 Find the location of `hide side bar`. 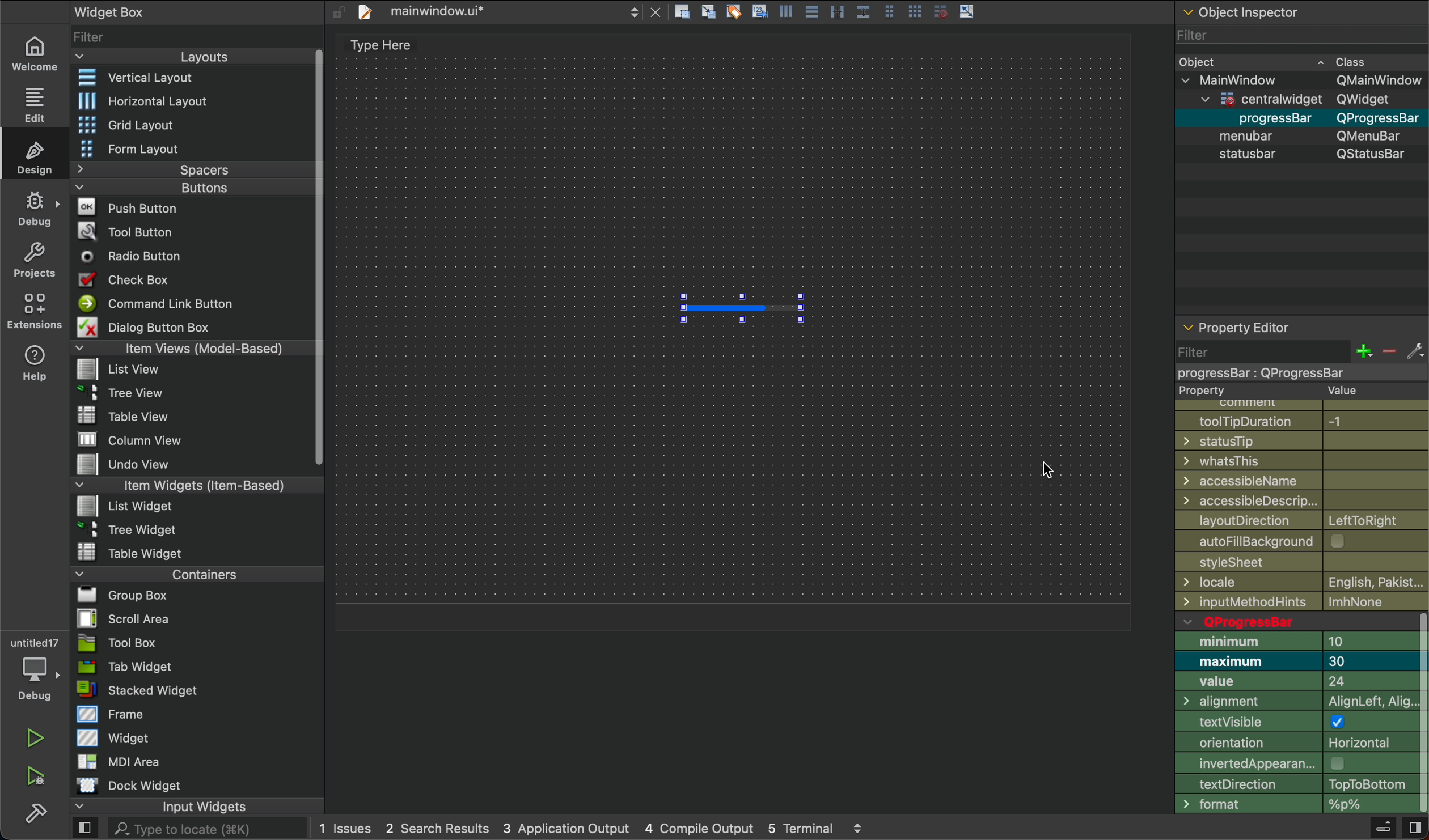

hide side bar is located at coordinates (1394, 828).